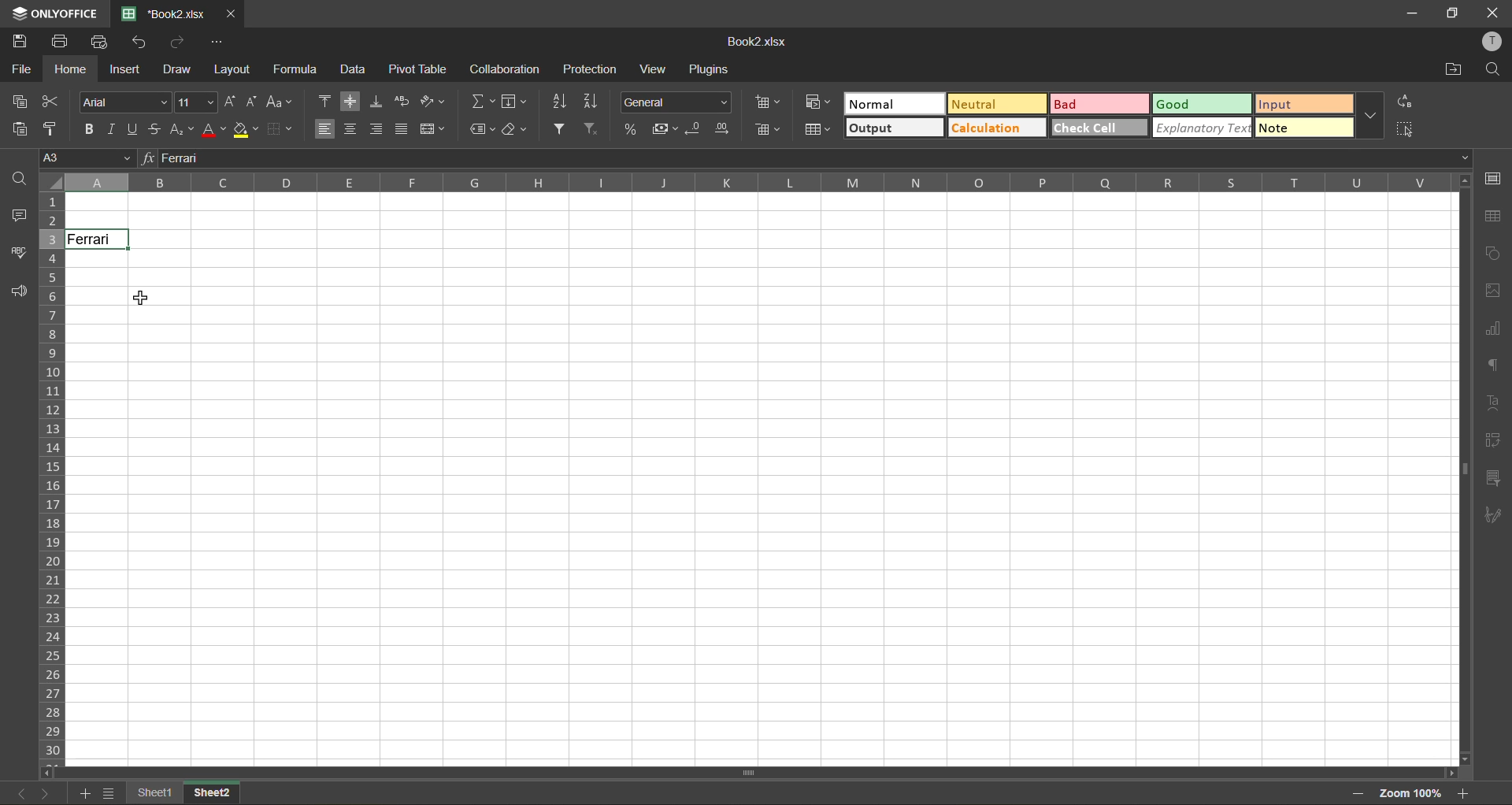  What do you see at coordinates (1492, 251) in the screenshot?
I see `shapes` at bounding box center [1492, 251].